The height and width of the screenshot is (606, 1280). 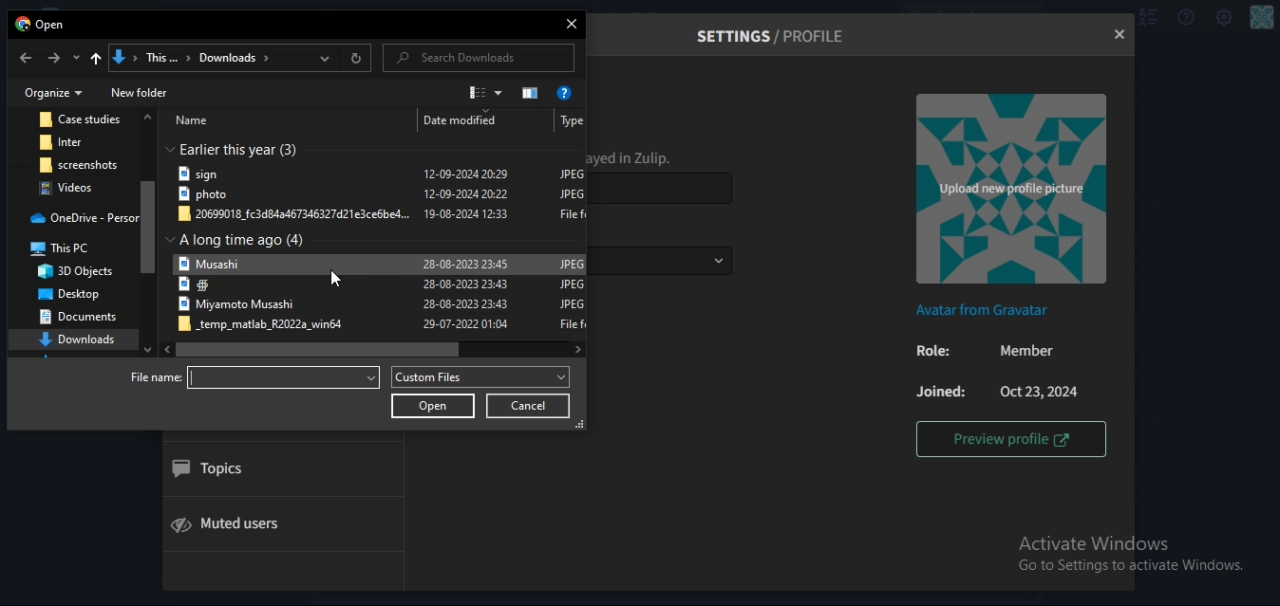 What do you see at coordinates (981, 352) in the screenshot?
I see `Role : Member` at bounding box center [981, 352].